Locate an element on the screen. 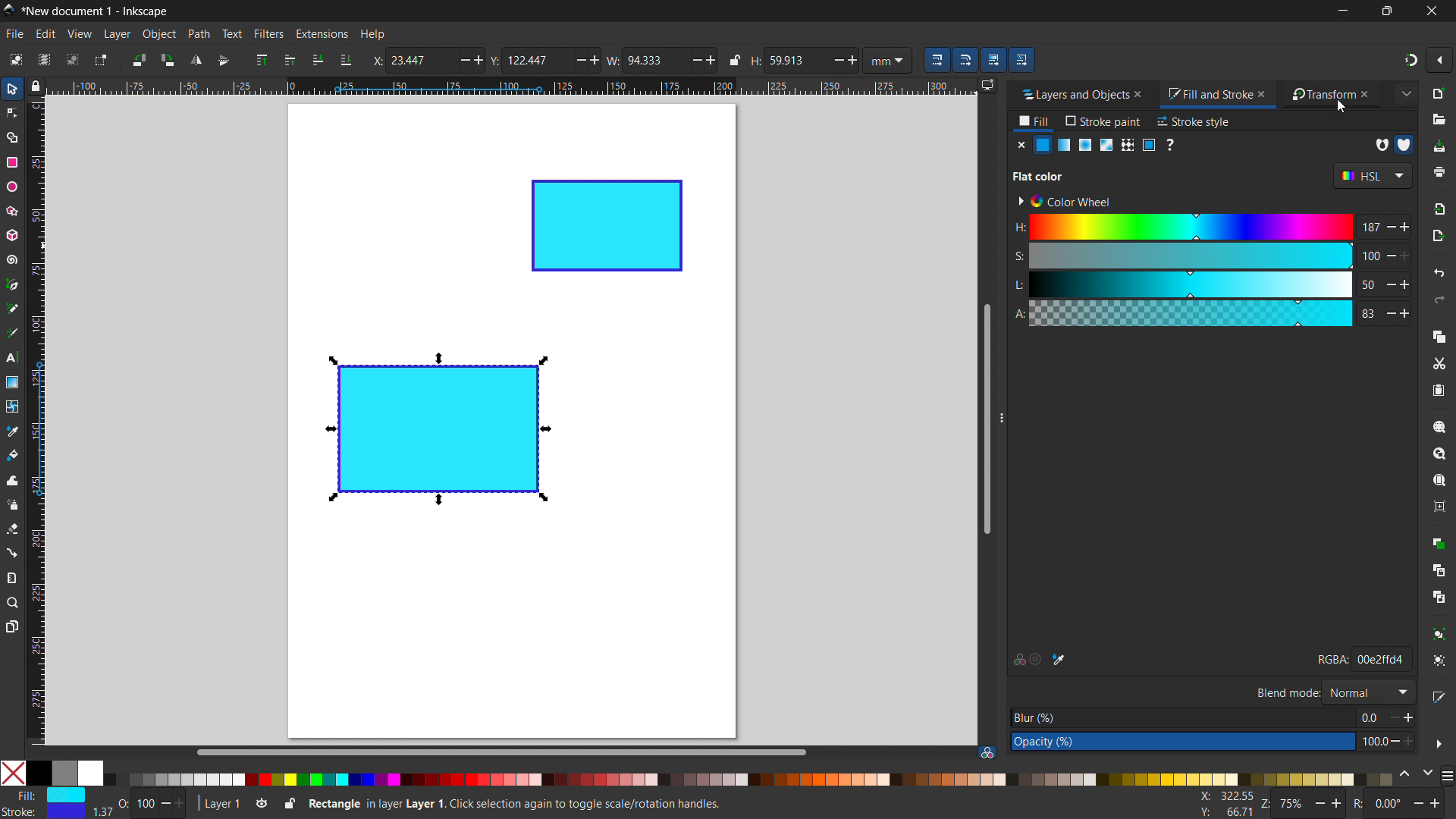 The width and height of the screenshot is (1456, 819). snapping is located at coordinates (1411, 60).